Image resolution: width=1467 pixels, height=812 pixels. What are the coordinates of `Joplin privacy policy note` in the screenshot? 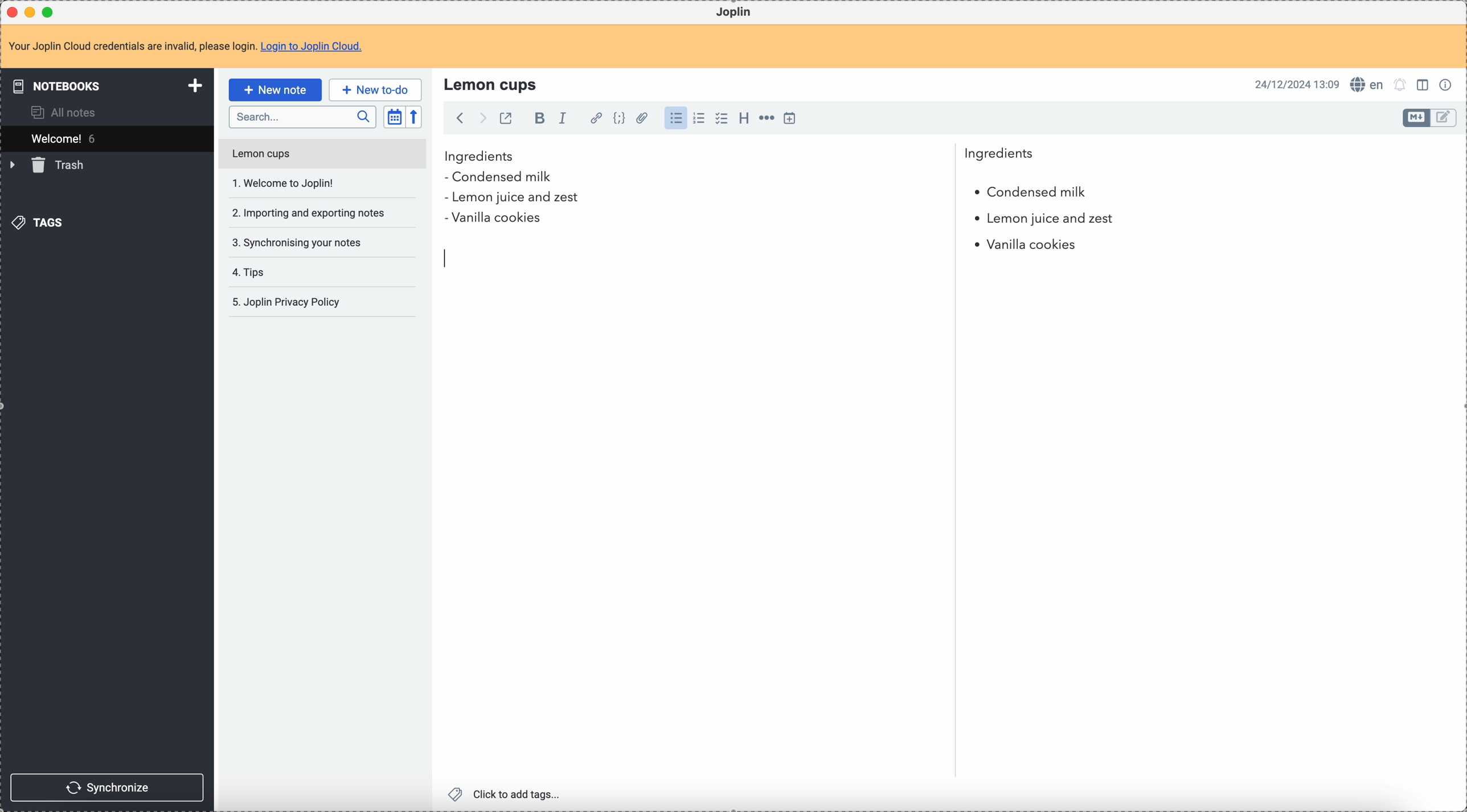 It's located at (289, 302).